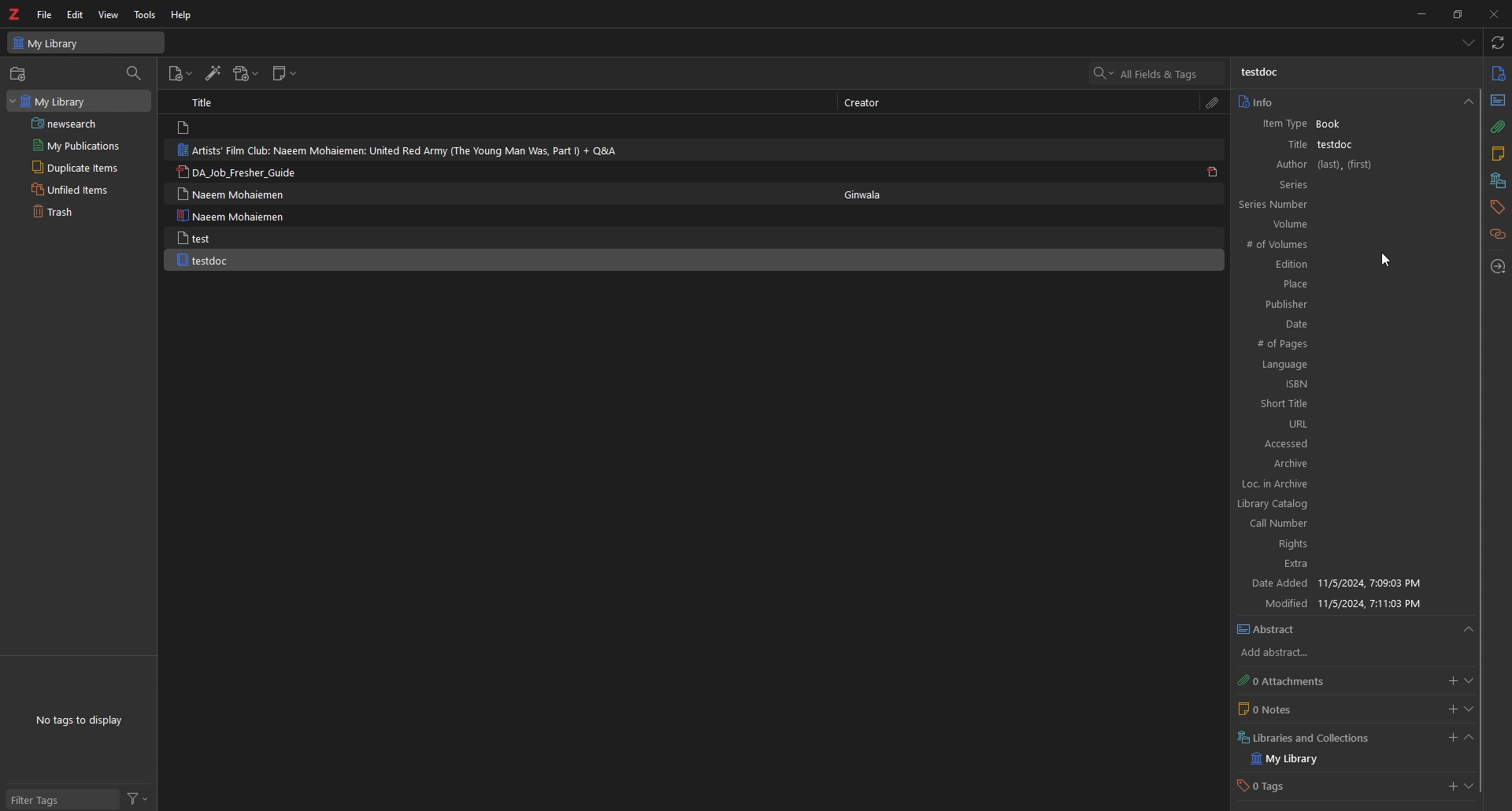 Image resolution: width=1512 pixels, height=811 pixels. Describe the element at coordinates (1387, 261) in the screenshot. I see `cursor` at that location.